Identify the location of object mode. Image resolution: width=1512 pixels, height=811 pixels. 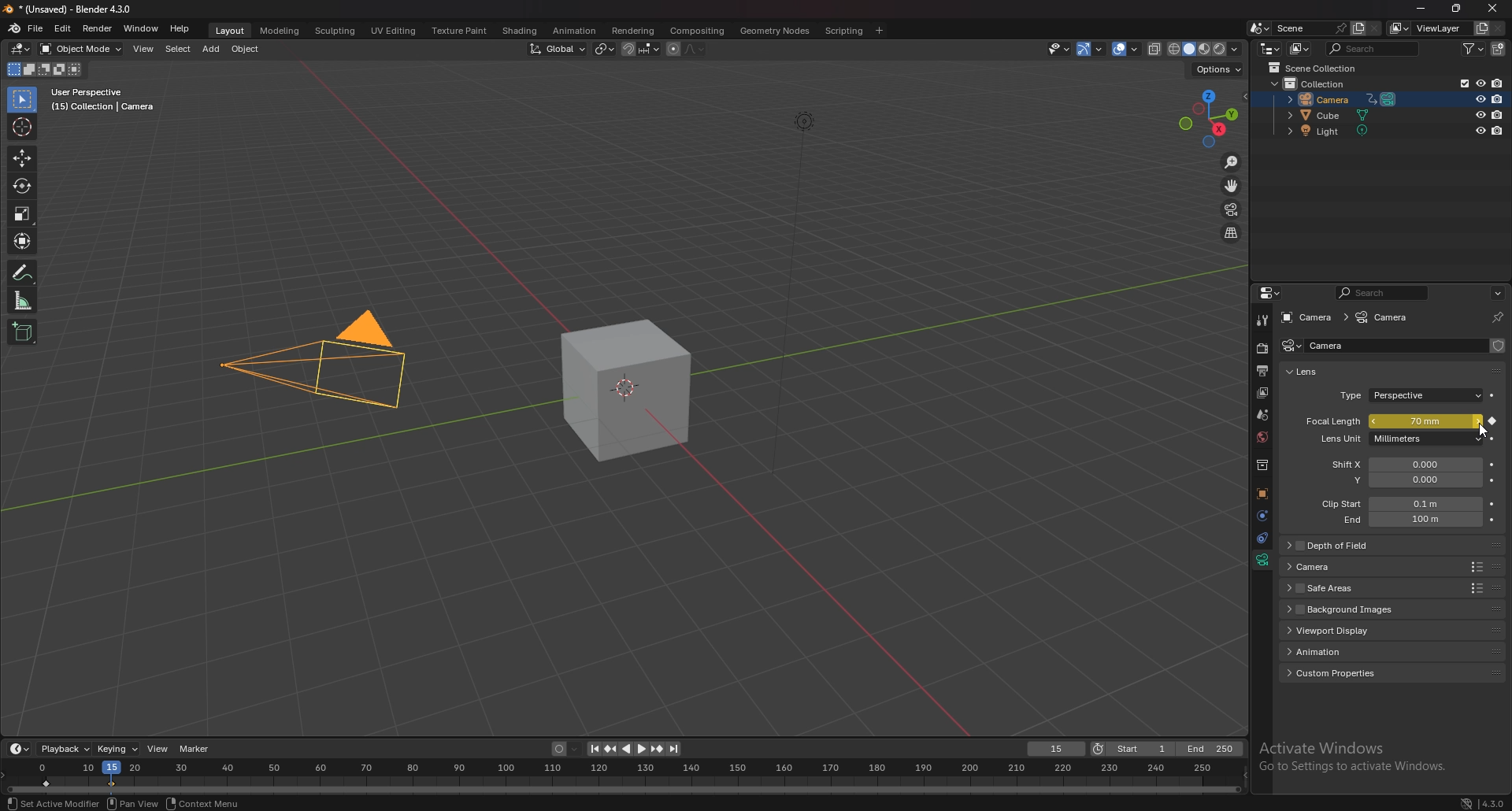
(80, 49).